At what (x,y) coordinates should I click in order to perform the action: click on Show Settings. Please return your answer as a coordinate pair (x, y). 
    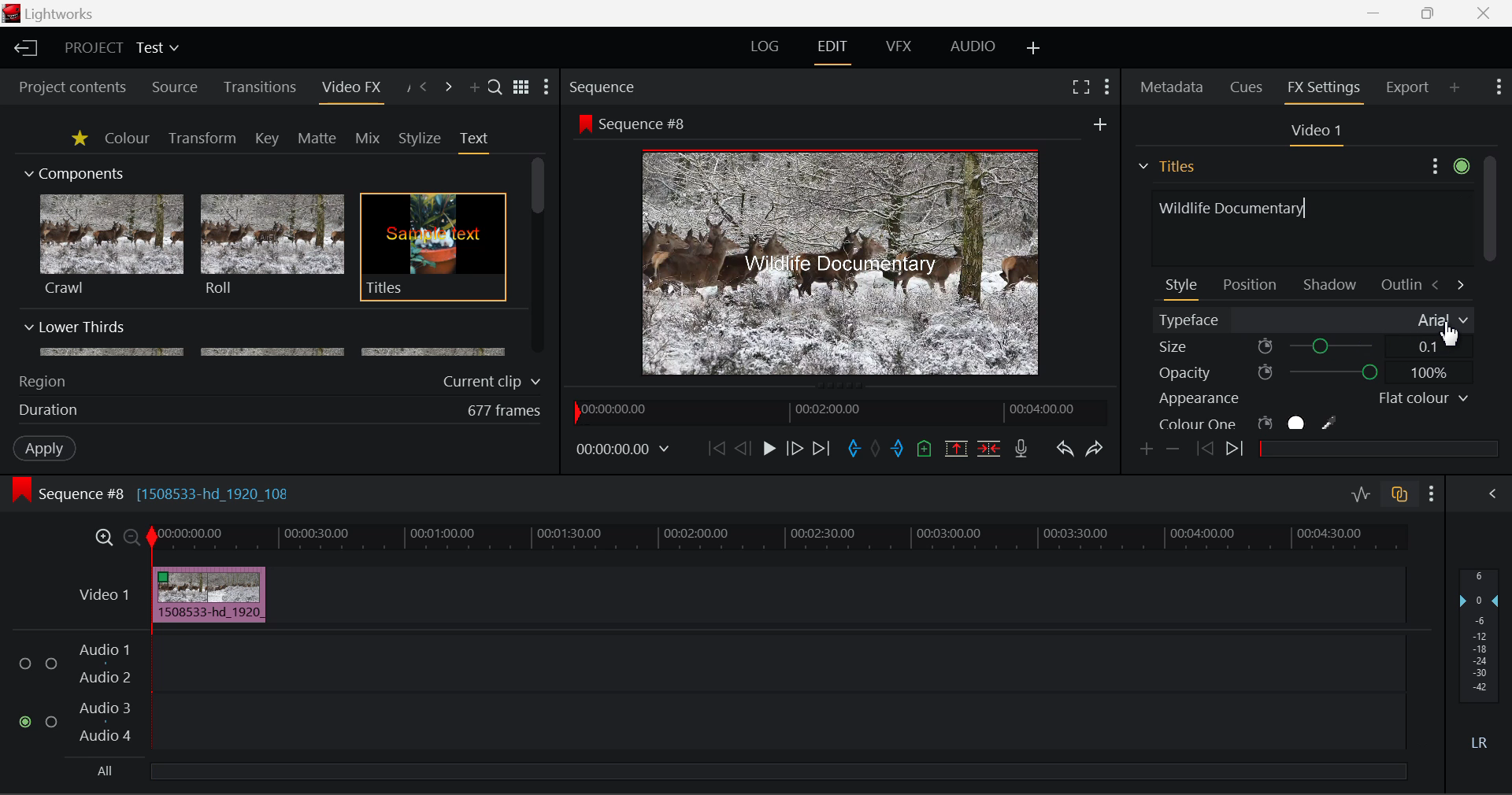
    Looking at the image, I should click on (1499, 85).